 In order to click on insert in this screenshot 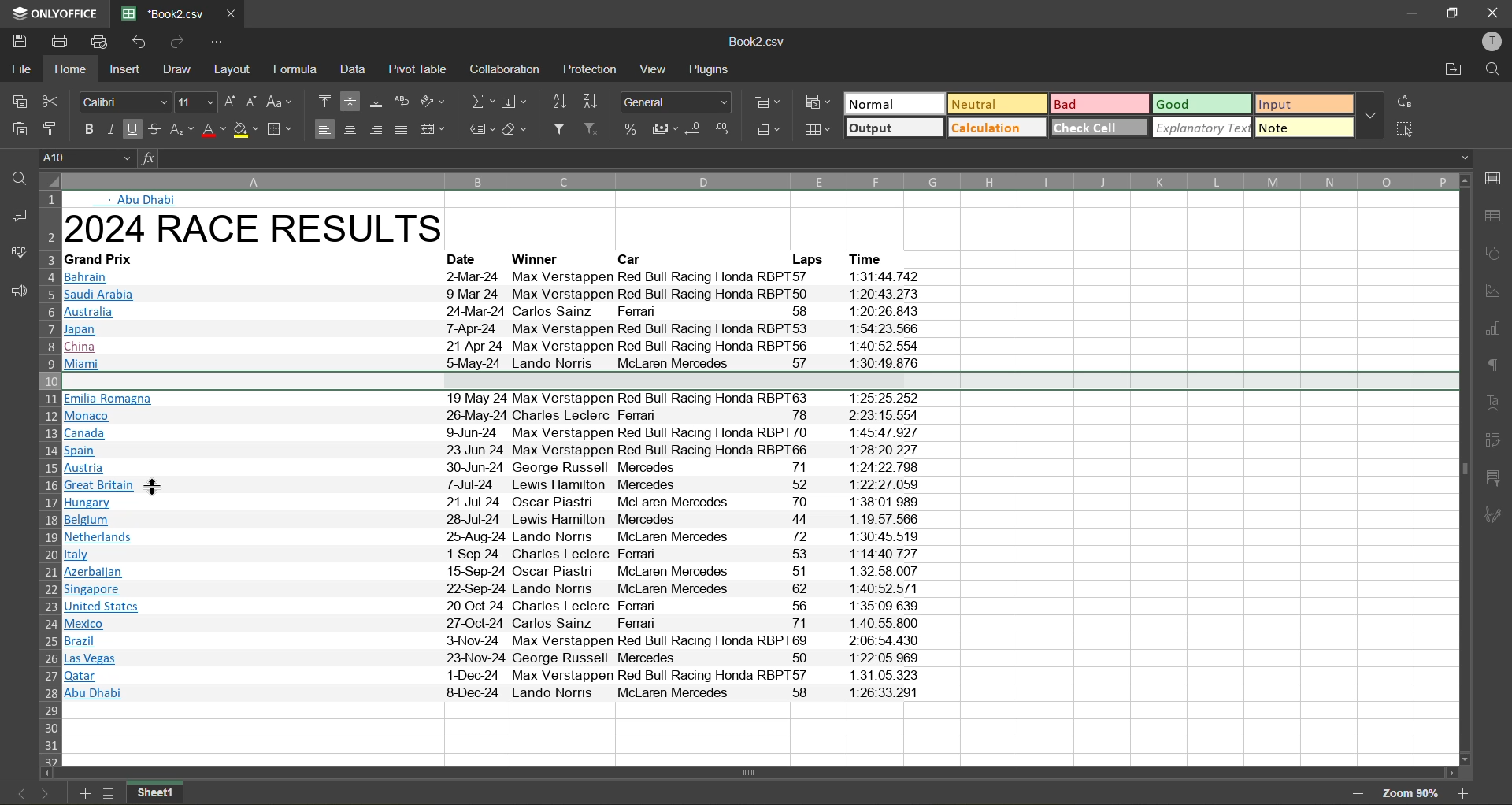, I will do `click(124, 69)`.